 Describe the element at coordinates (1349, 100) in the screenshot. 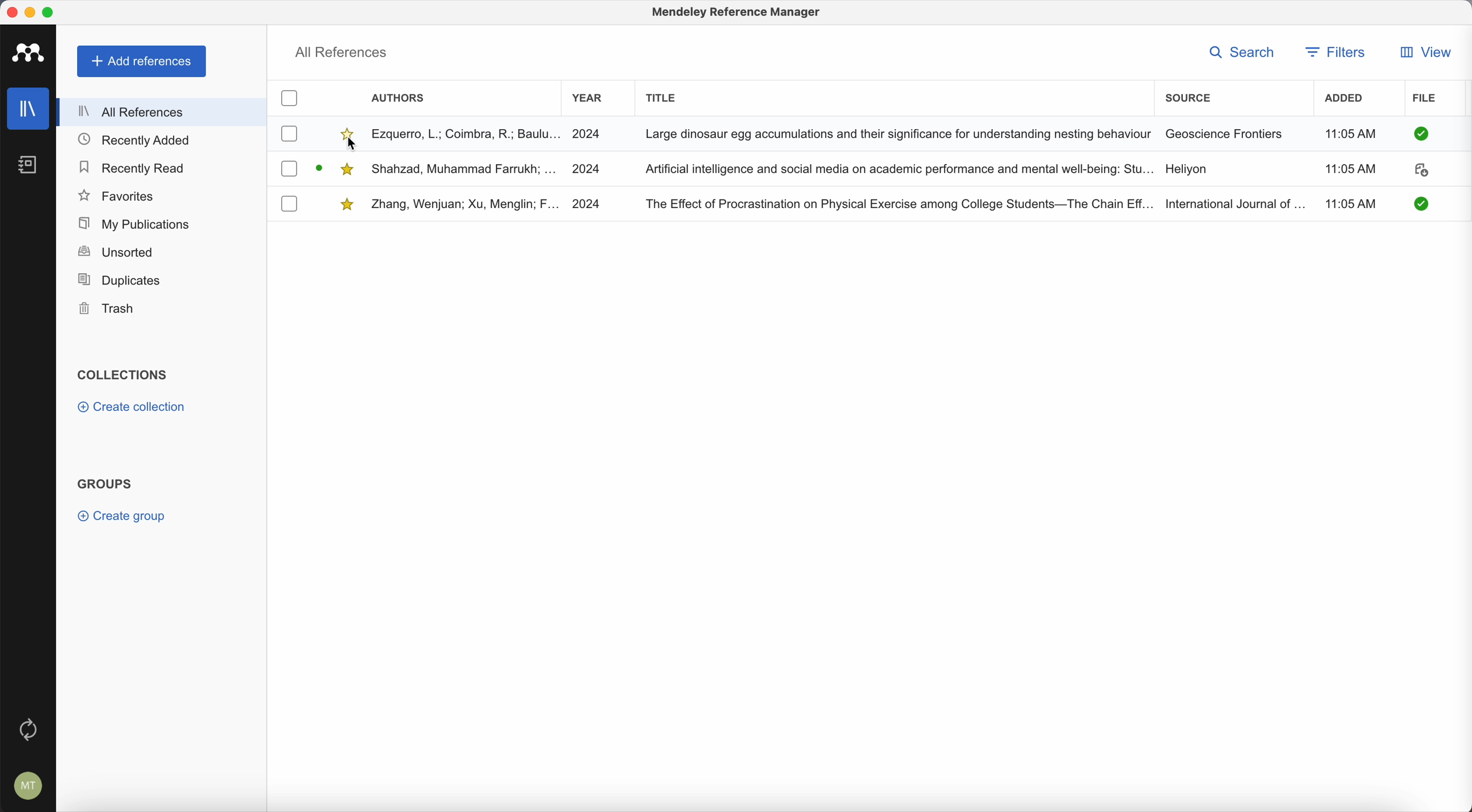

I see `added` at that location.